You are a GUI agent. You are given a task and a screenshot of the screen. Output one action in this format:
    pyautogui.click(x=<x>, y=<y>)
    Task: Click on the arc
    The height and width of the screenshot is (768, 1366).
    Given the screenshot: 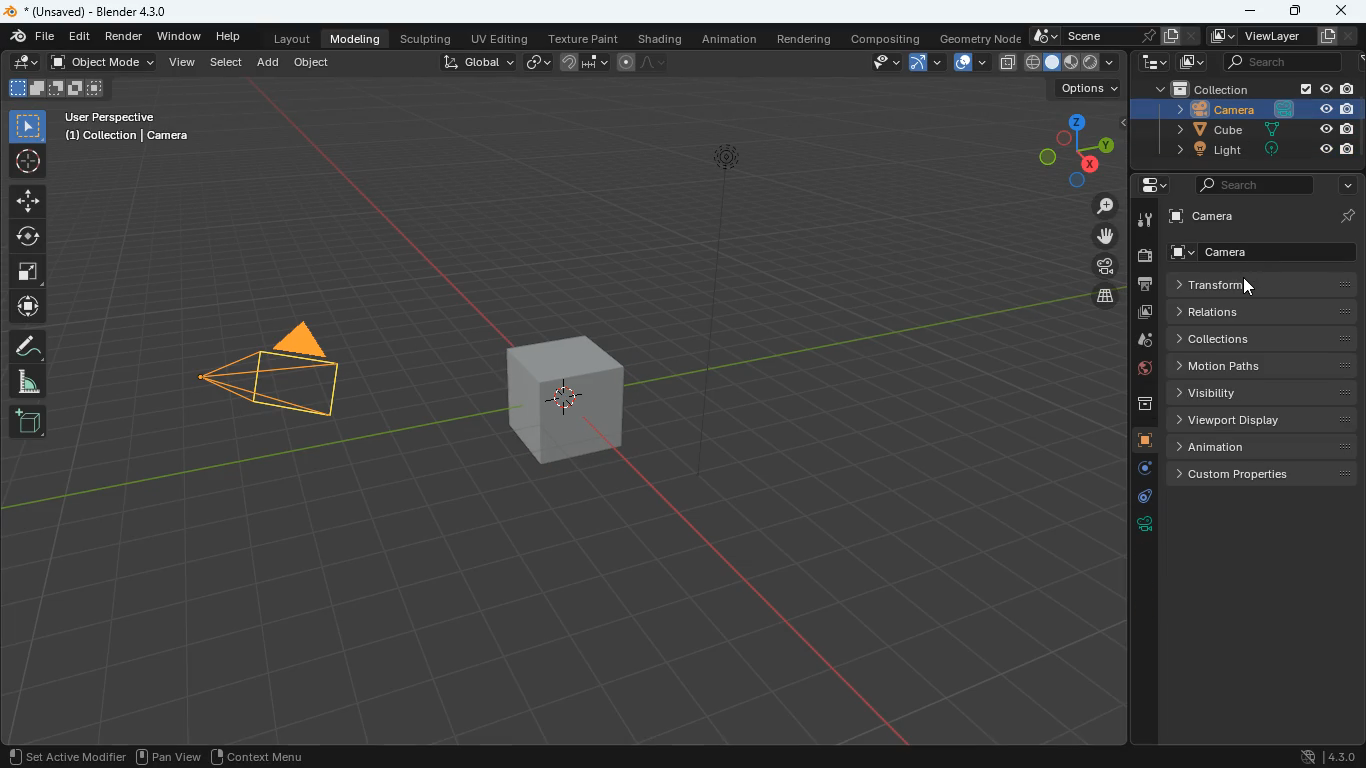 What is the action you would take?
    pyautogui.click(x=925, y=64)
    